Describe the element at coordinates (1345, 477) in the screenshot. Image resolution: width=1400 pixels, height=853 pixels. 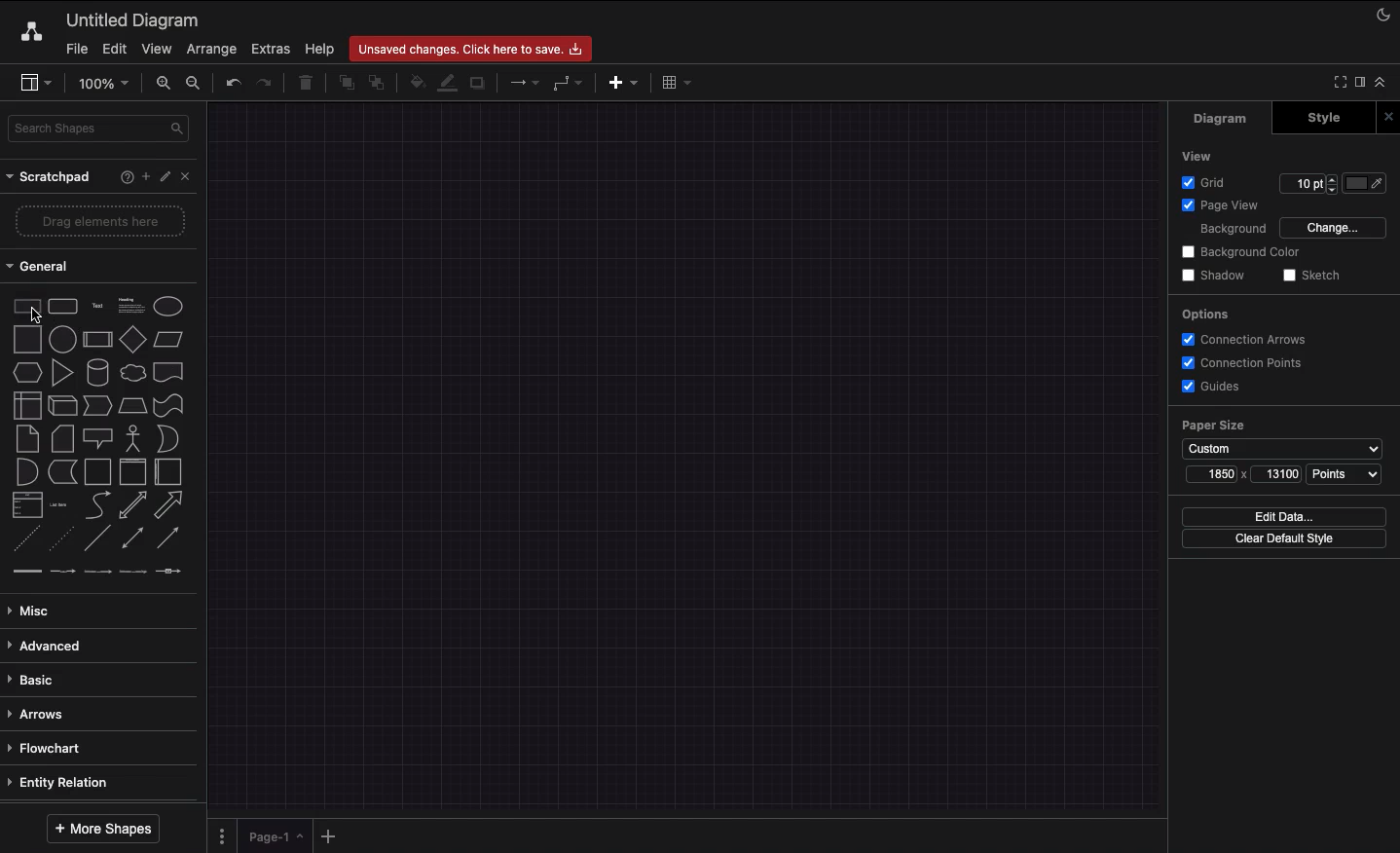
I see `Points` at that location.